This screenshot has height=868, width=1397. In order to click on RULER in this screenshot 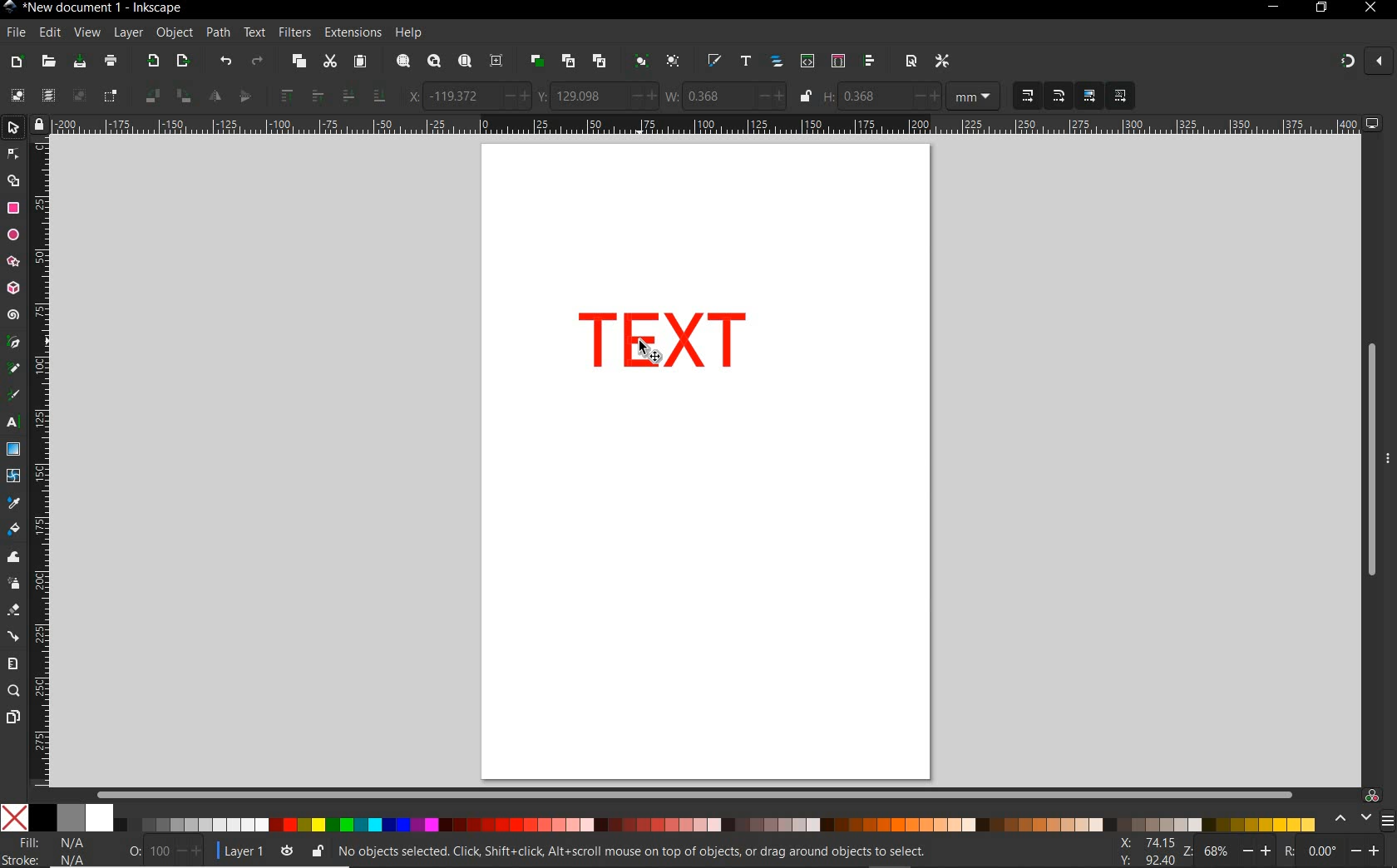, I will do `click(708, 126)`.